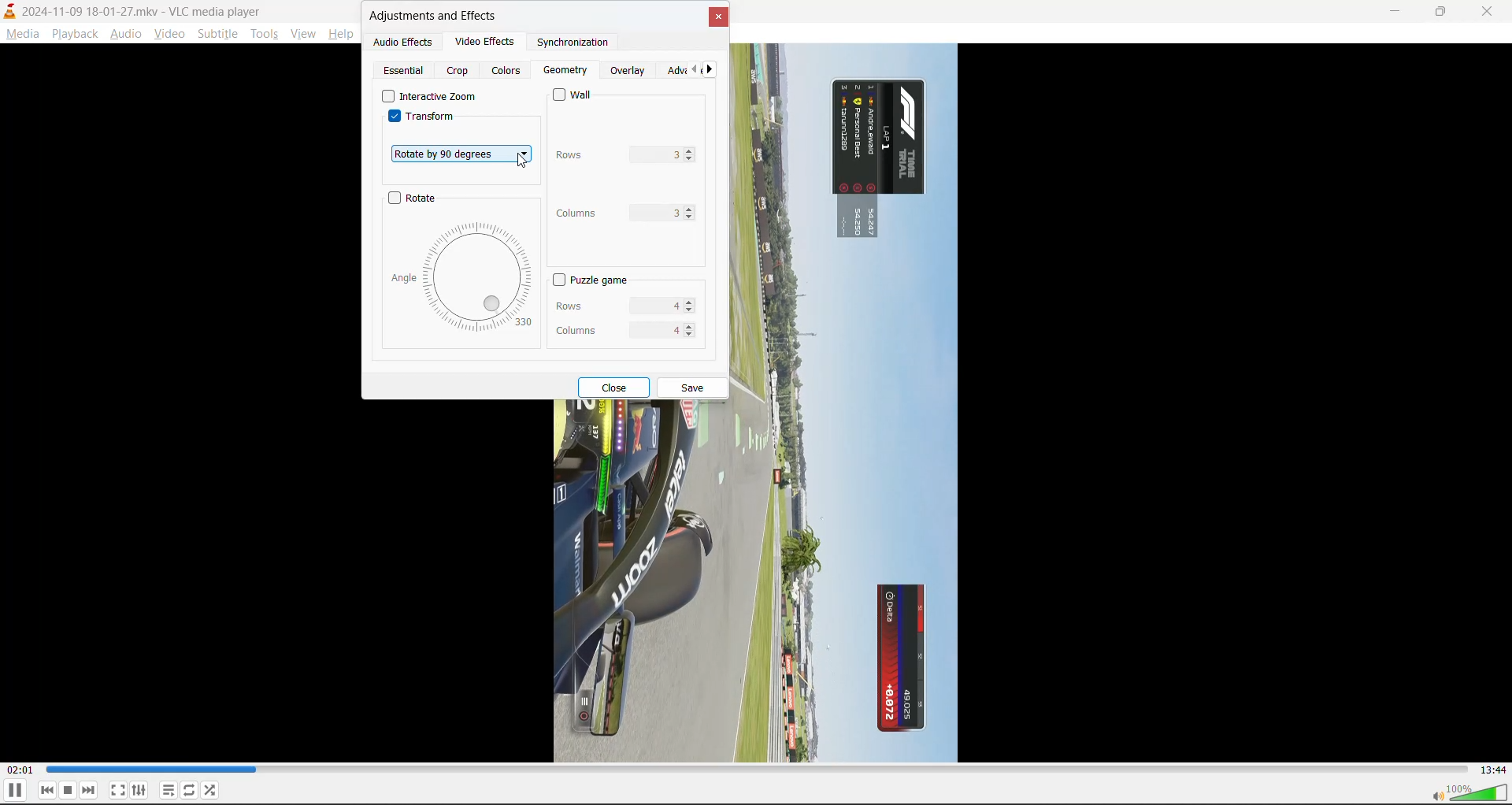 The width and height of the screenshot is (1512, 805). I want to click on current track time, so click(19, 770).